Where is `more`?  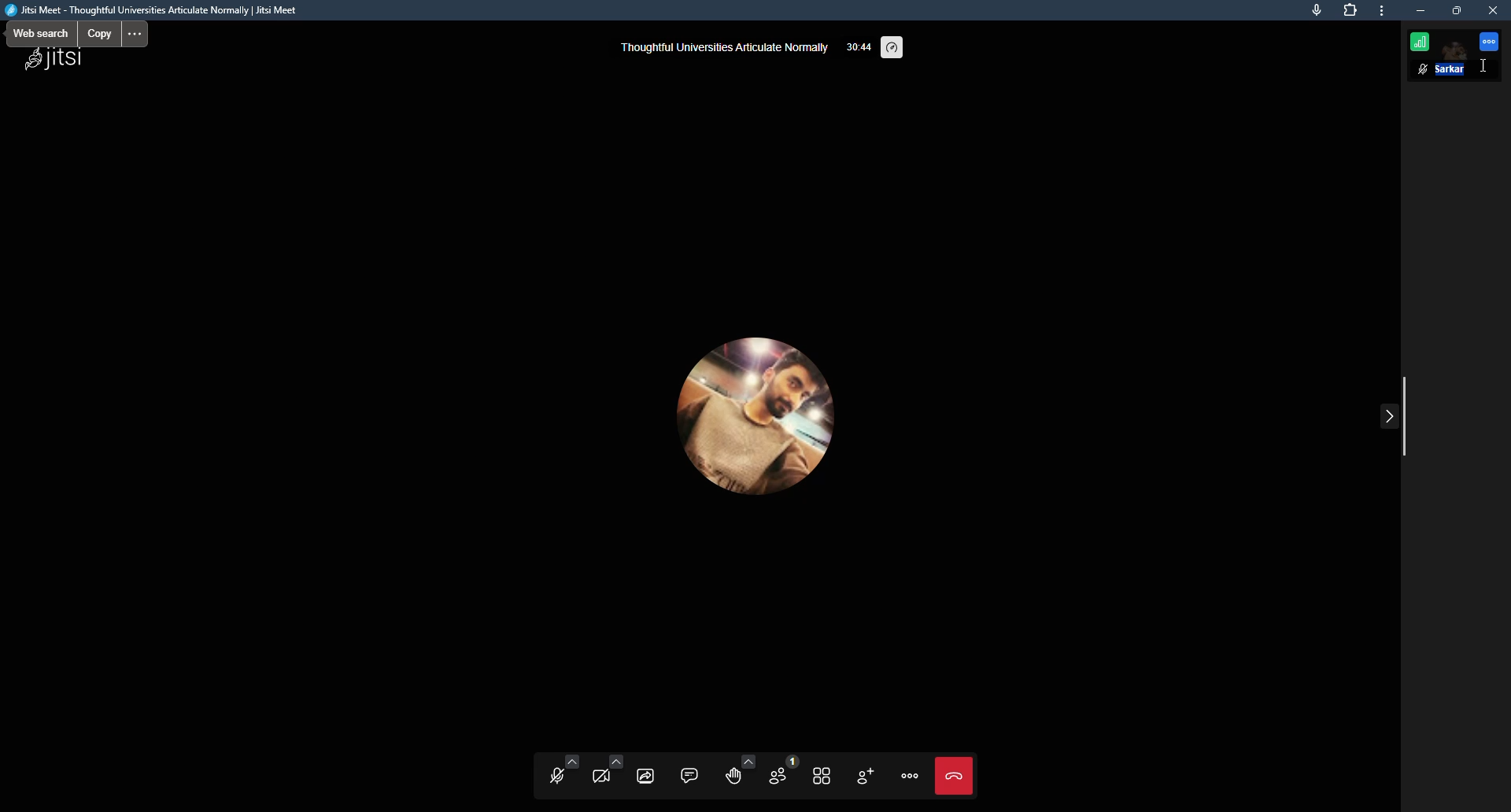
more is located at coordinates (1382, 12).